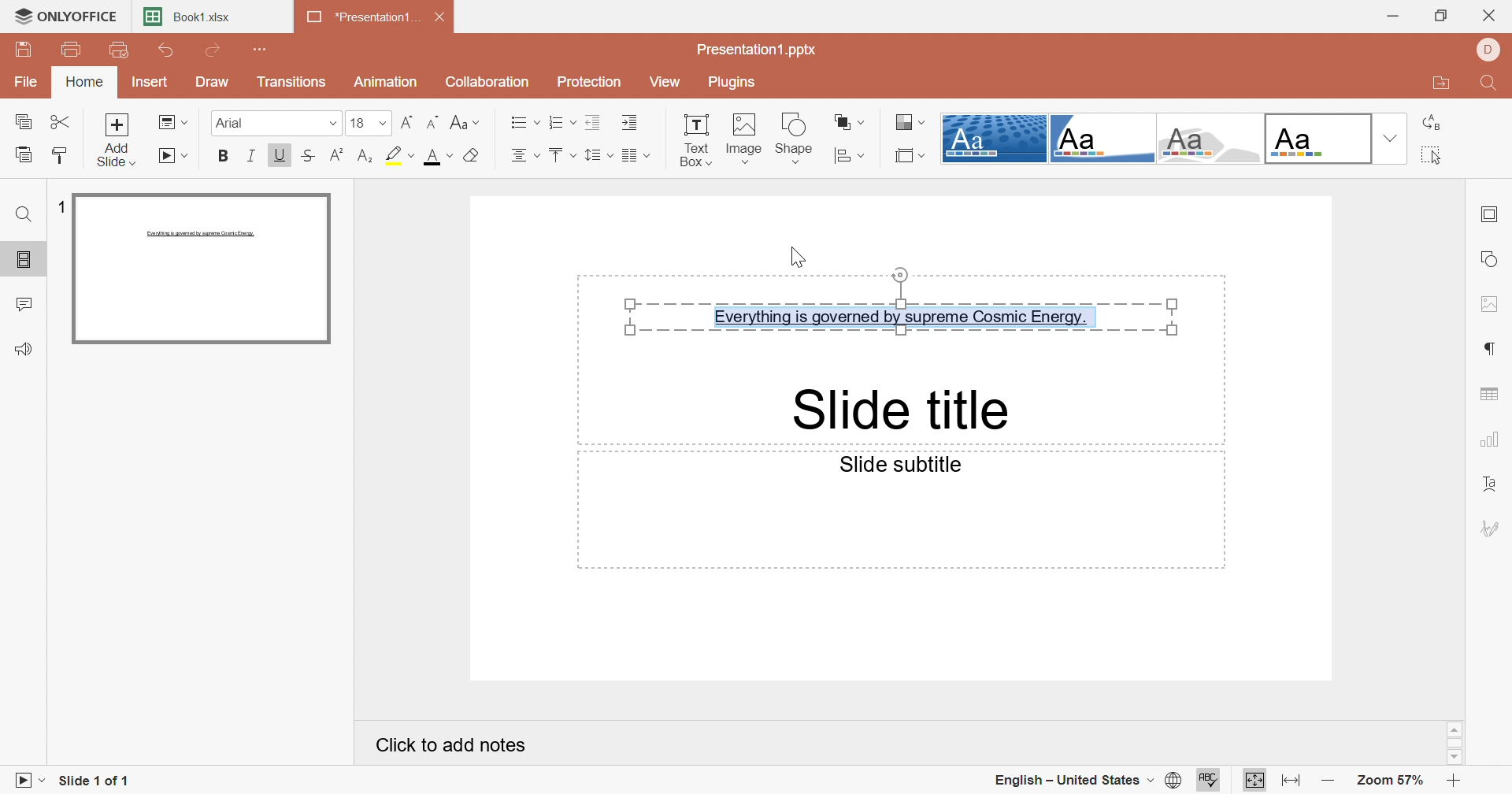  I want to click on Scroll Bar, so click(1456, 744).